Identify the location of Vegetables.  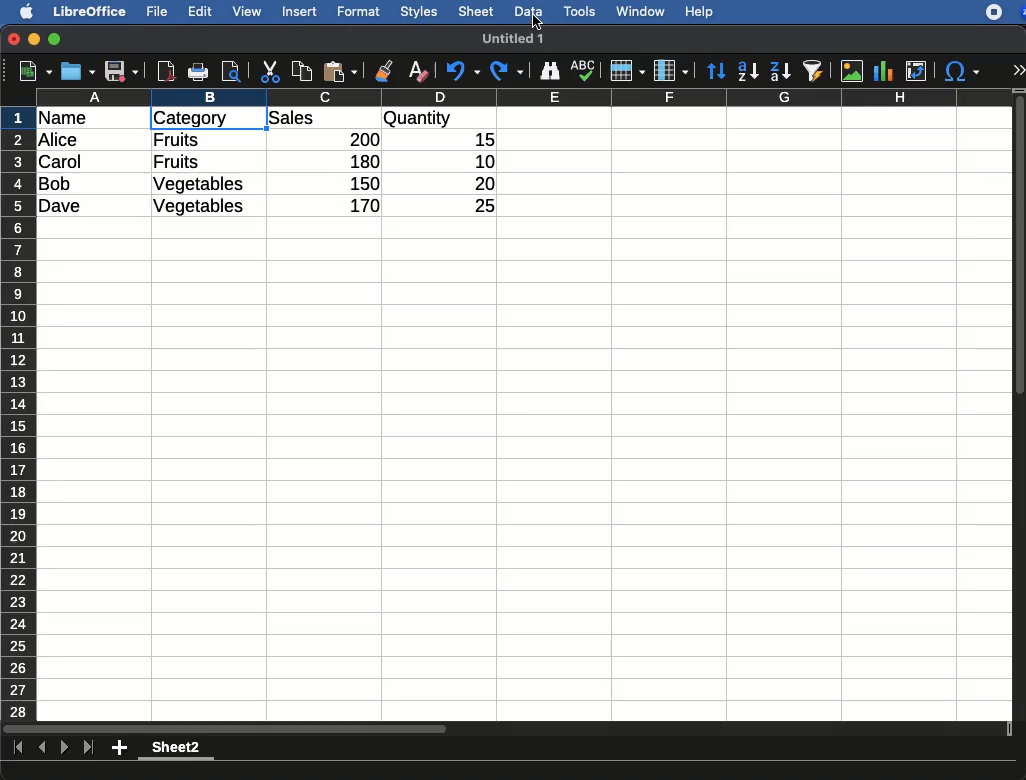
(198, 207).